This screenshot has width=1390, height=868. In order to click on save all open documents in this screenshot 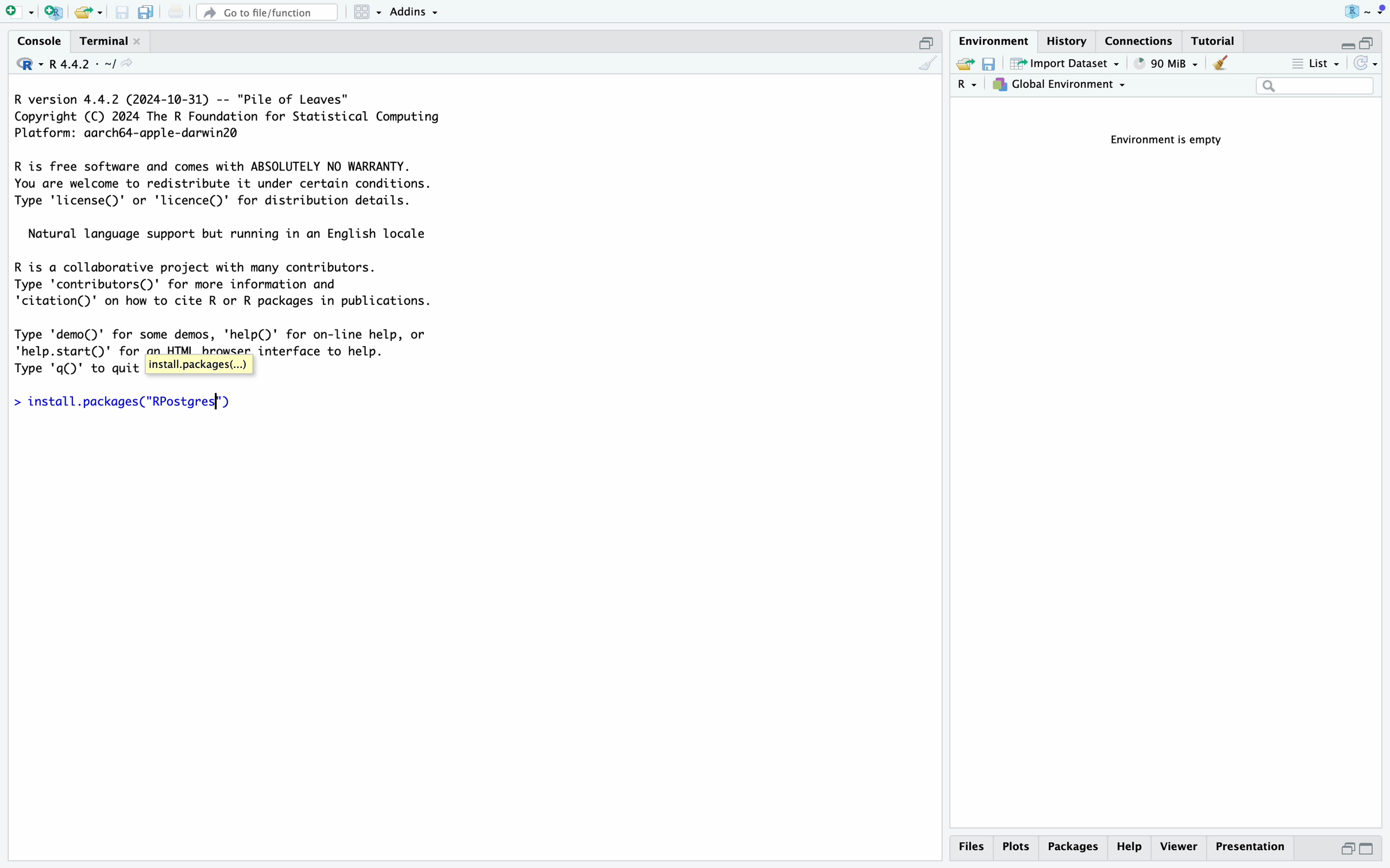, I will do `click(145, 12)`.